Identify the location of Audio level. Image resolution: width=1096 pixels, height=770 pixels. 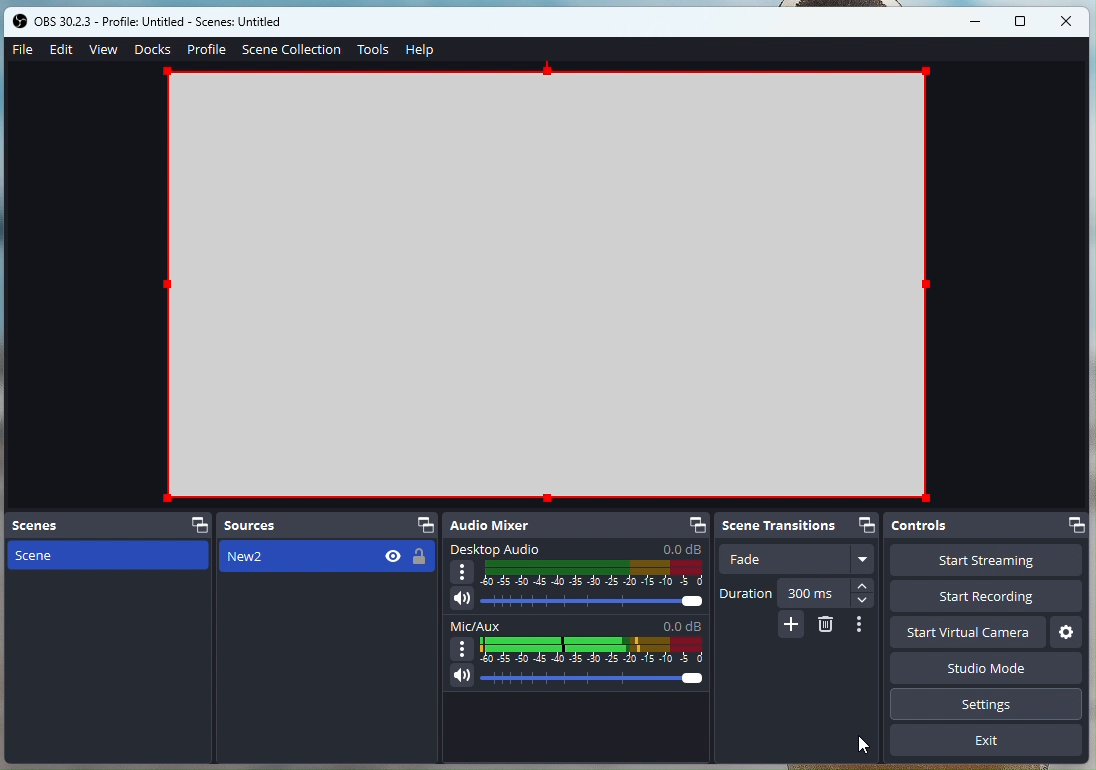
(594, 649).